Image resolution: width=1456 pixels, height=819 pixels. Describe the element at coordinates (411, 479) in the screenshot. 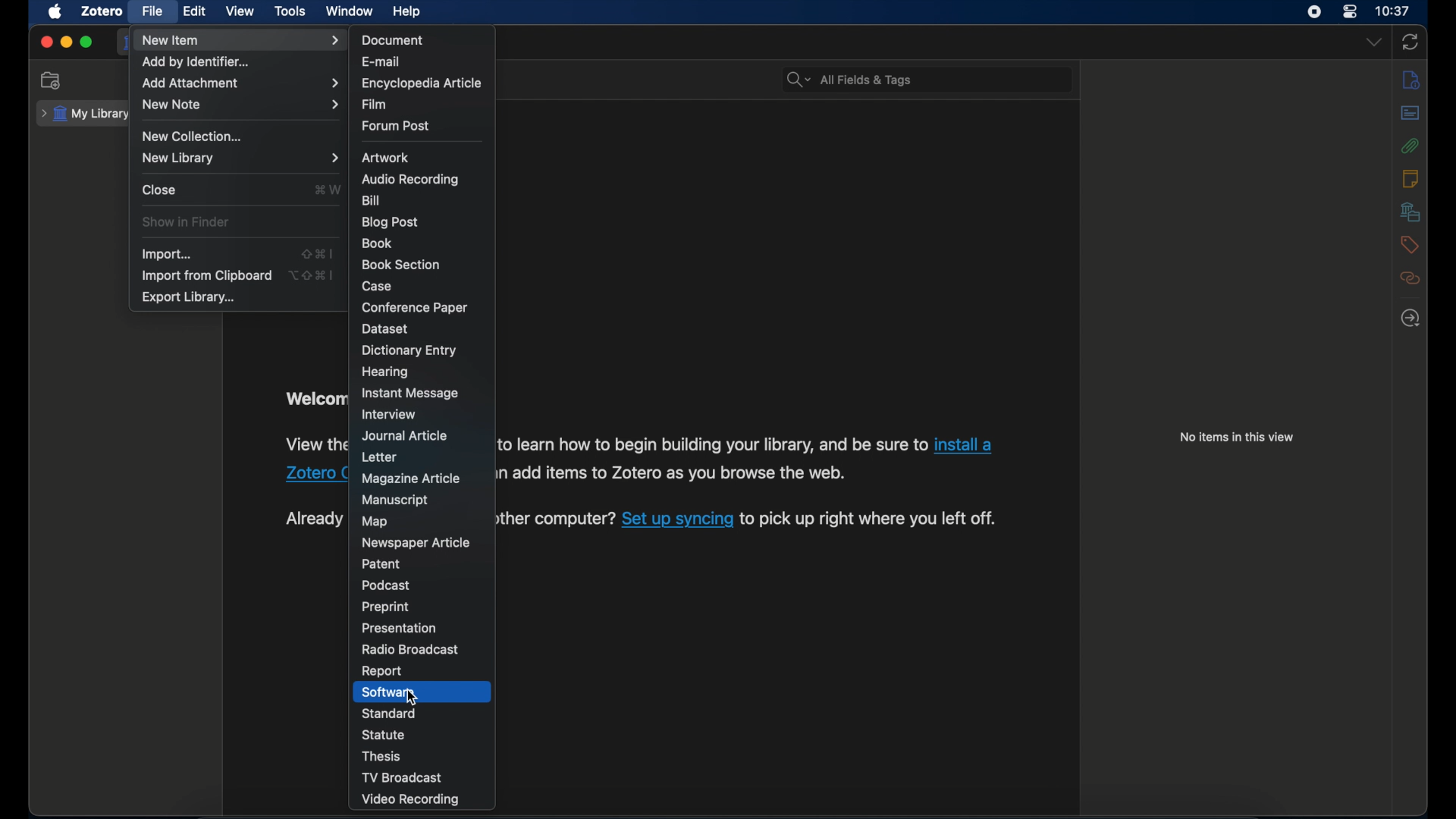

I see `magazine article` at that location.